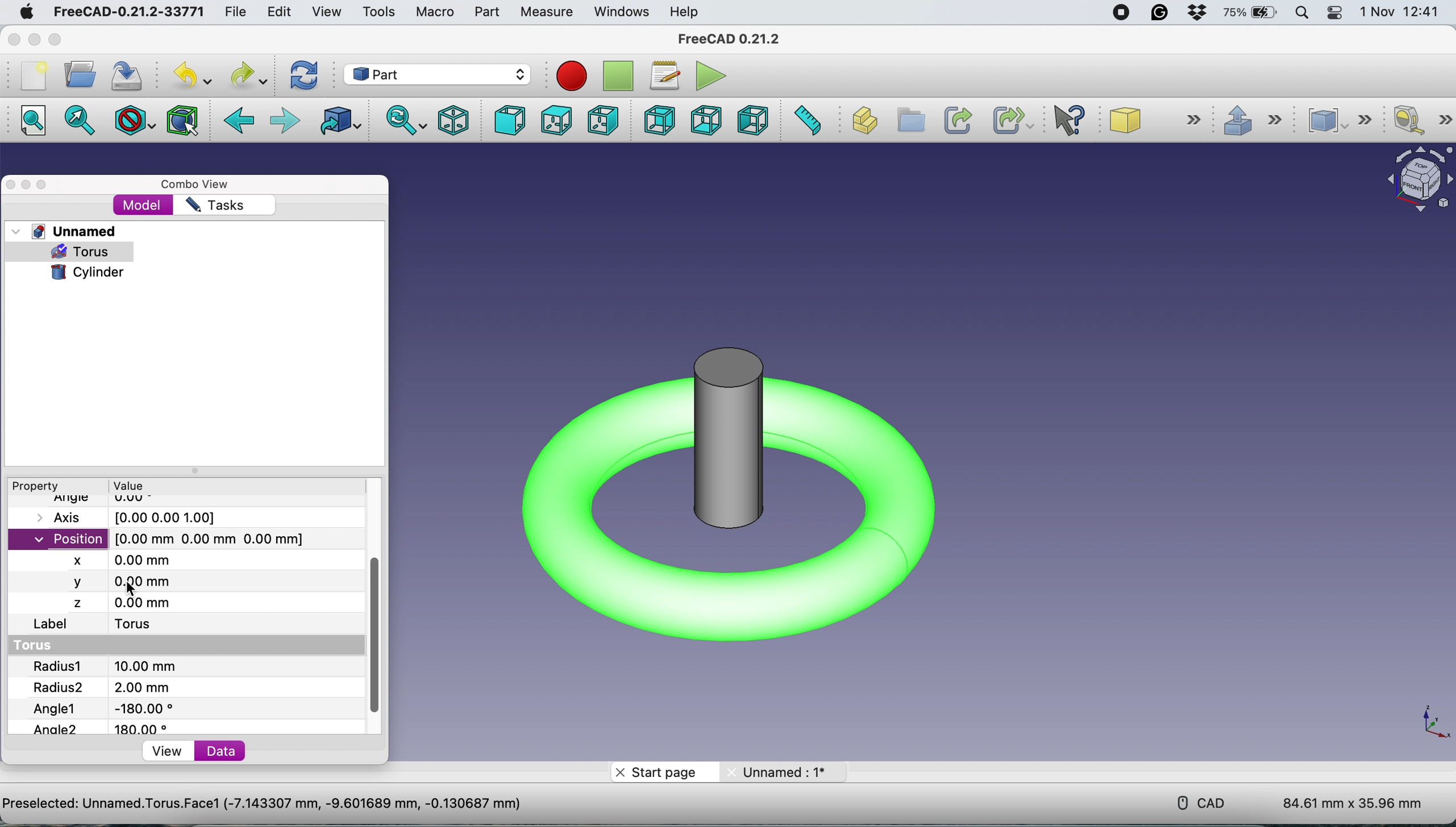 The width and height of the screenshot is (1456, 827). I want to click on torus, so click(89, 252).